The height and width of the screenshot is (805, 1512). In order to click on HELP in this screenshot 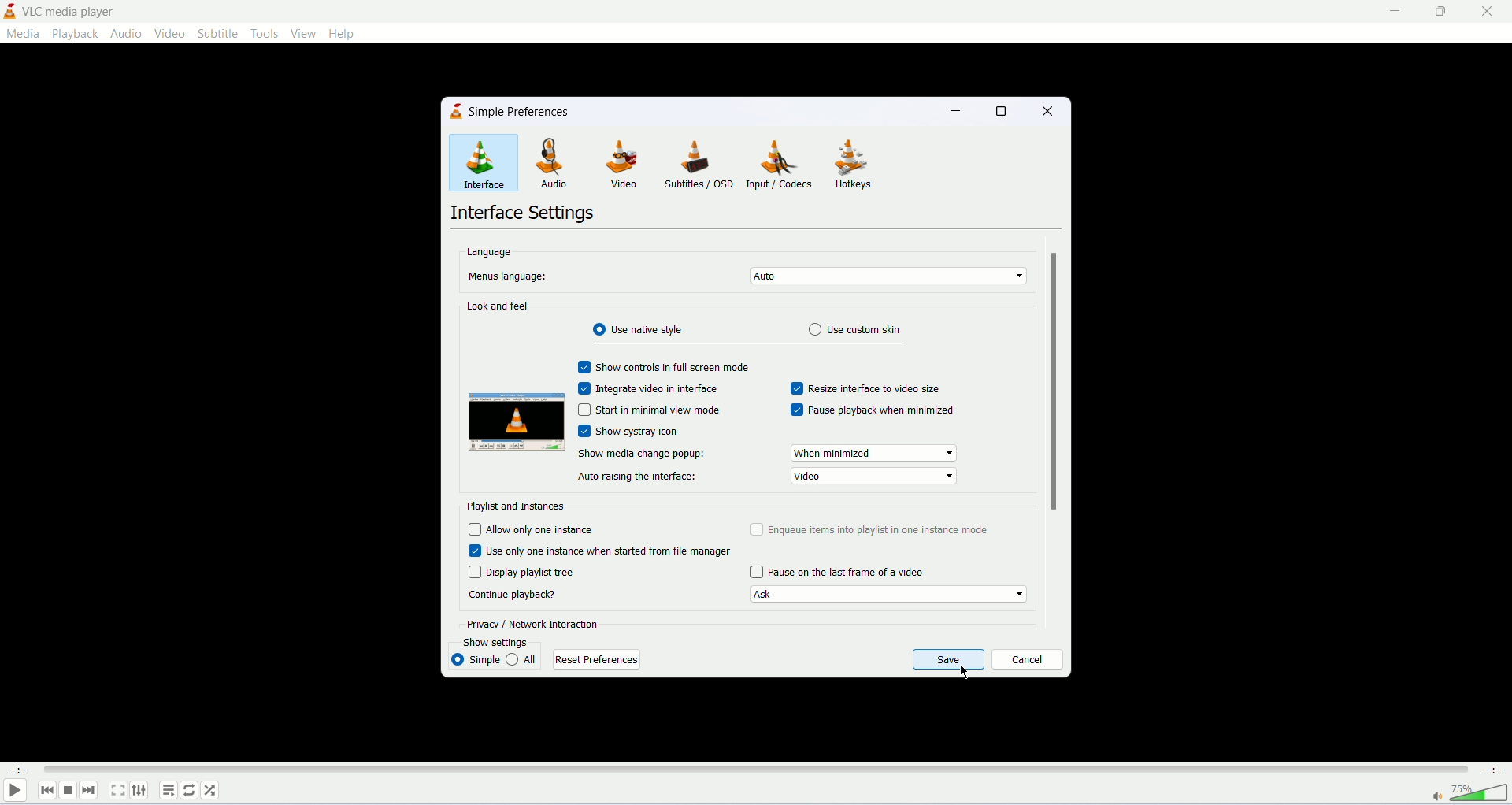, I will do `click(343, 34)`.